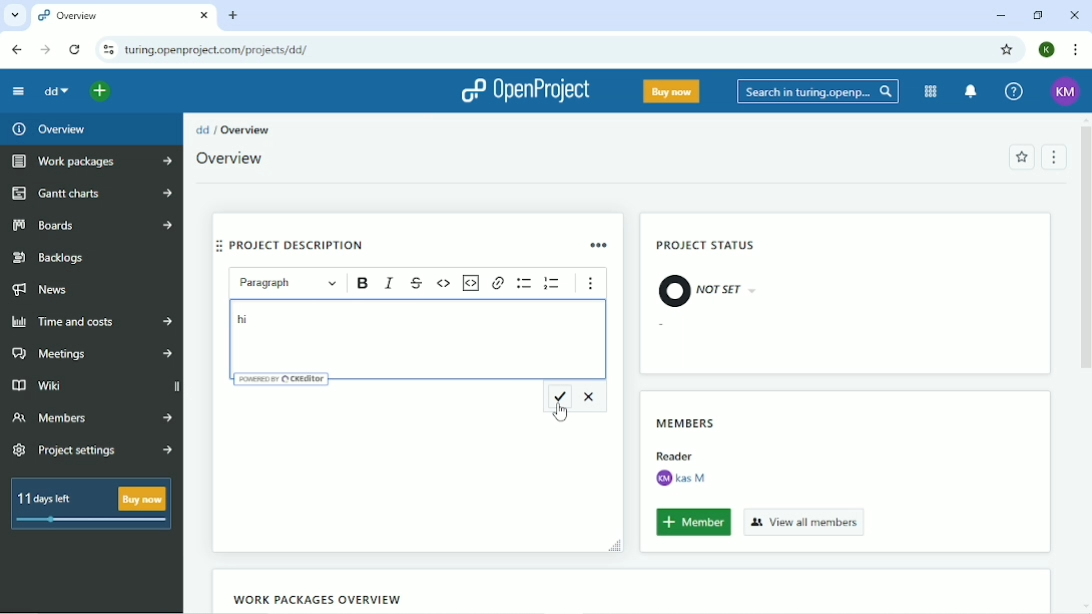 This screenshot has height=614, width=1092. Describe the element at coordinates (601, 244) in the screenshot. I see `More options` at that location.